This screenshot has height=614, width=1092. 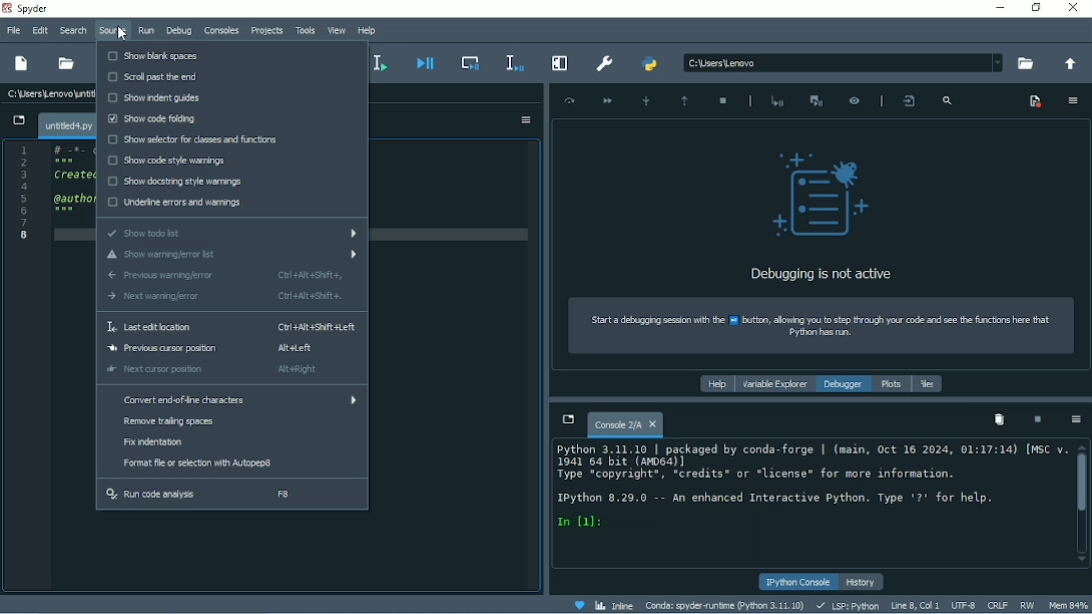 What do you see at coordinates (560, 64) in the screenshot?
I see `Maximize current pane` at bounding box center [560, 64].